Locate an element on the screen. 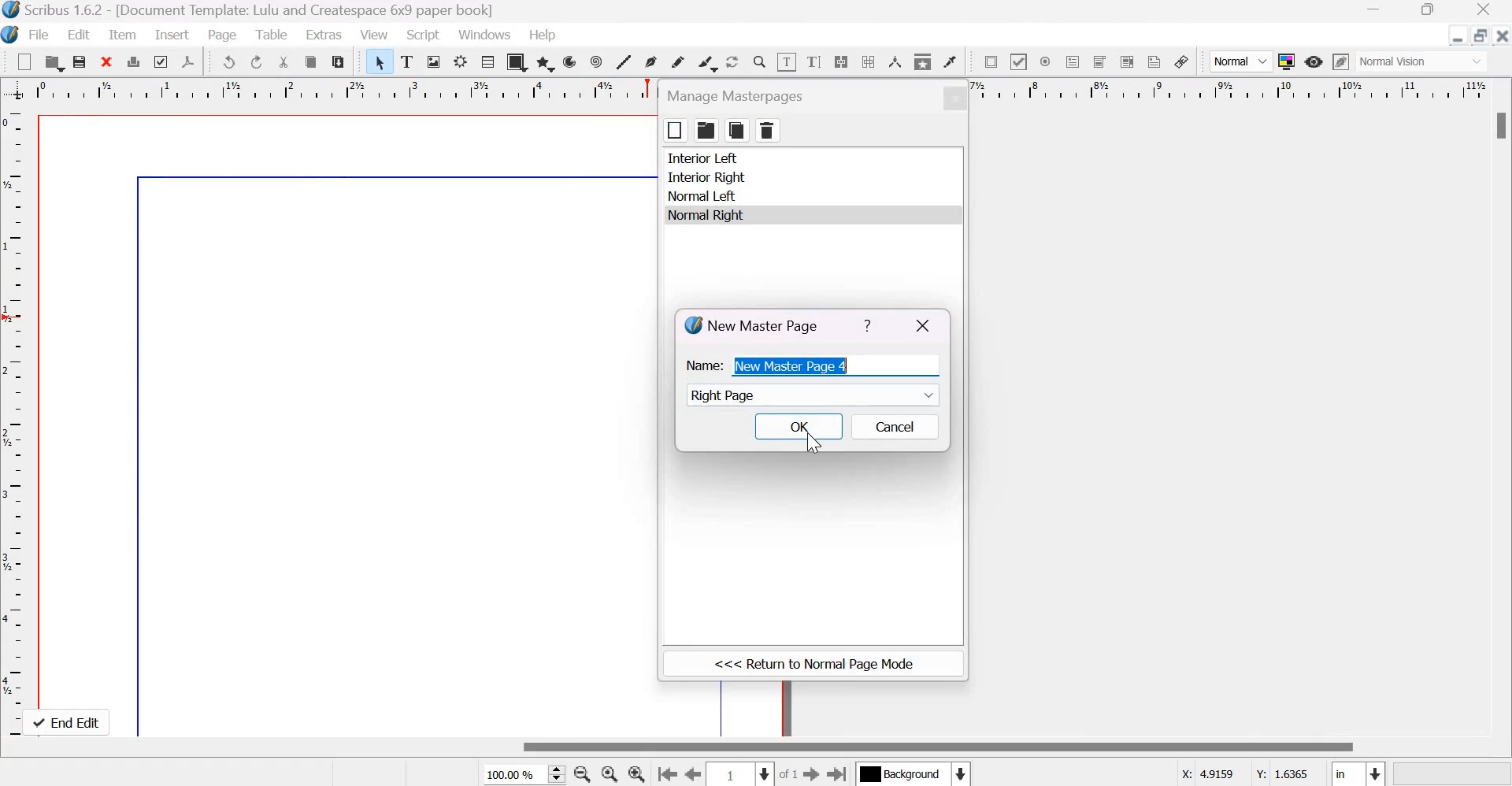 This screenshot has height=786, width=1512. PDF check box is located at coordinates (1017, 61).